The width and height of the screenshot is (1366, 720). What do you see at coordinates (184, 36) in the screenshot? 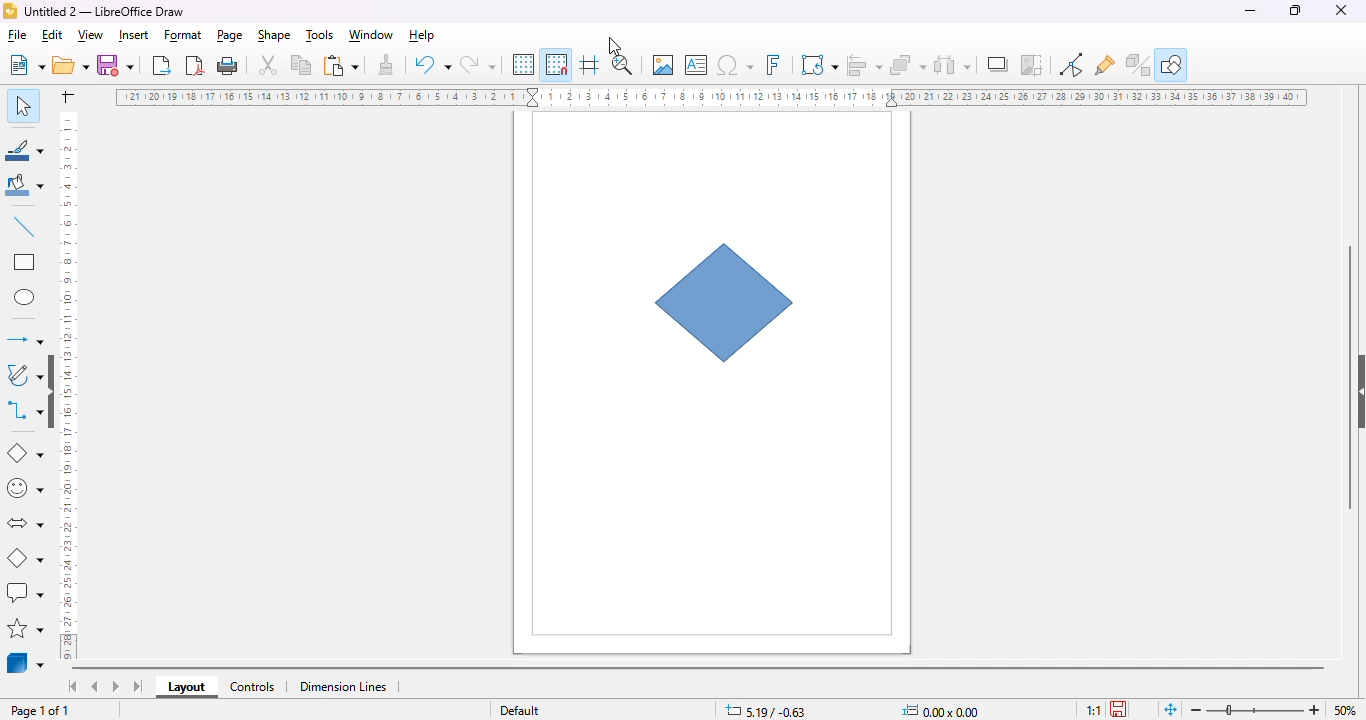
I see `format` at bounding box center [184, 36].